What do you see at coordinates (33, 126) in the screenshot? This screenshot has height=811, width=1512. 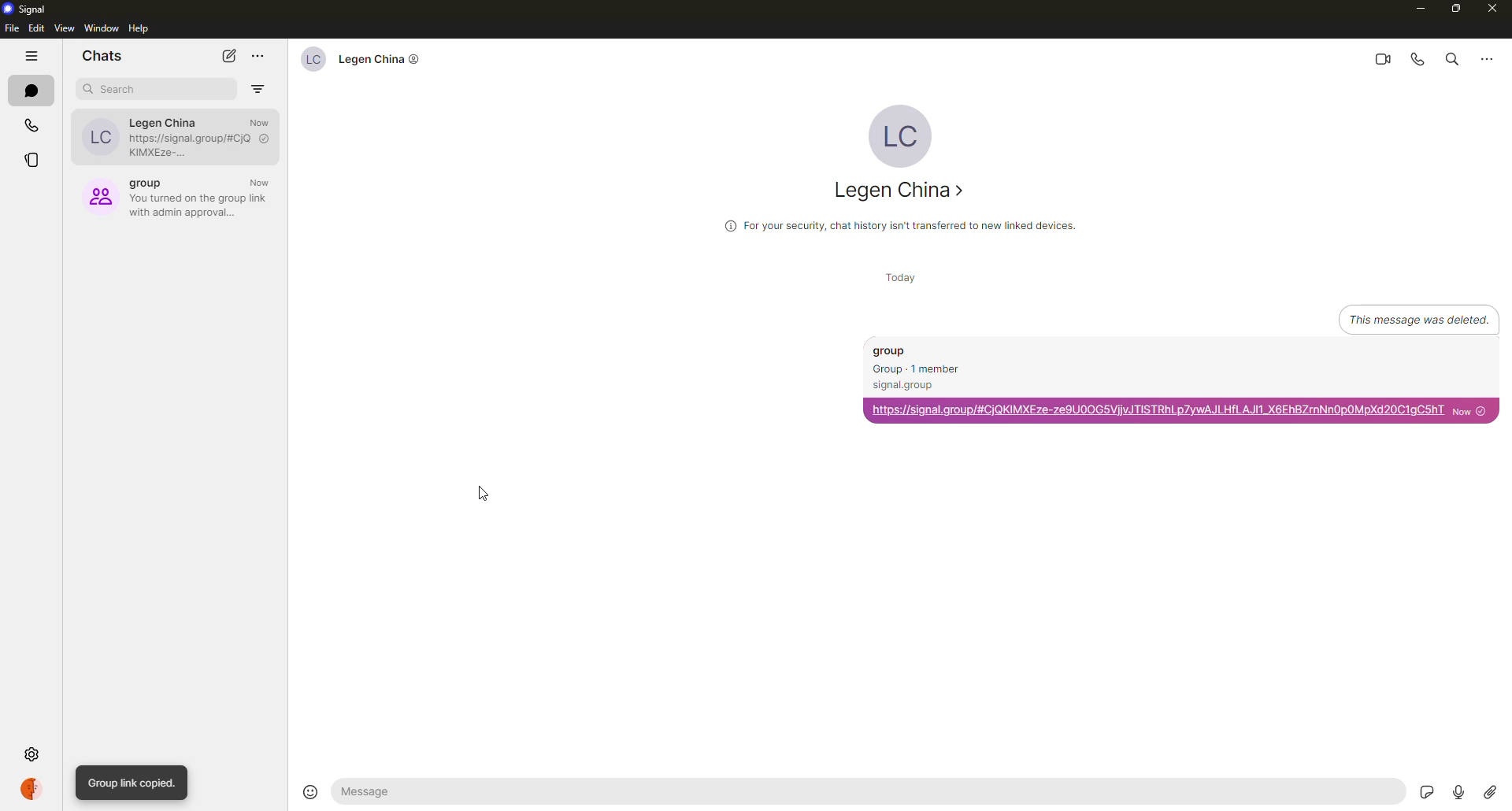 I see `calls` at bounding box center [33, 126].